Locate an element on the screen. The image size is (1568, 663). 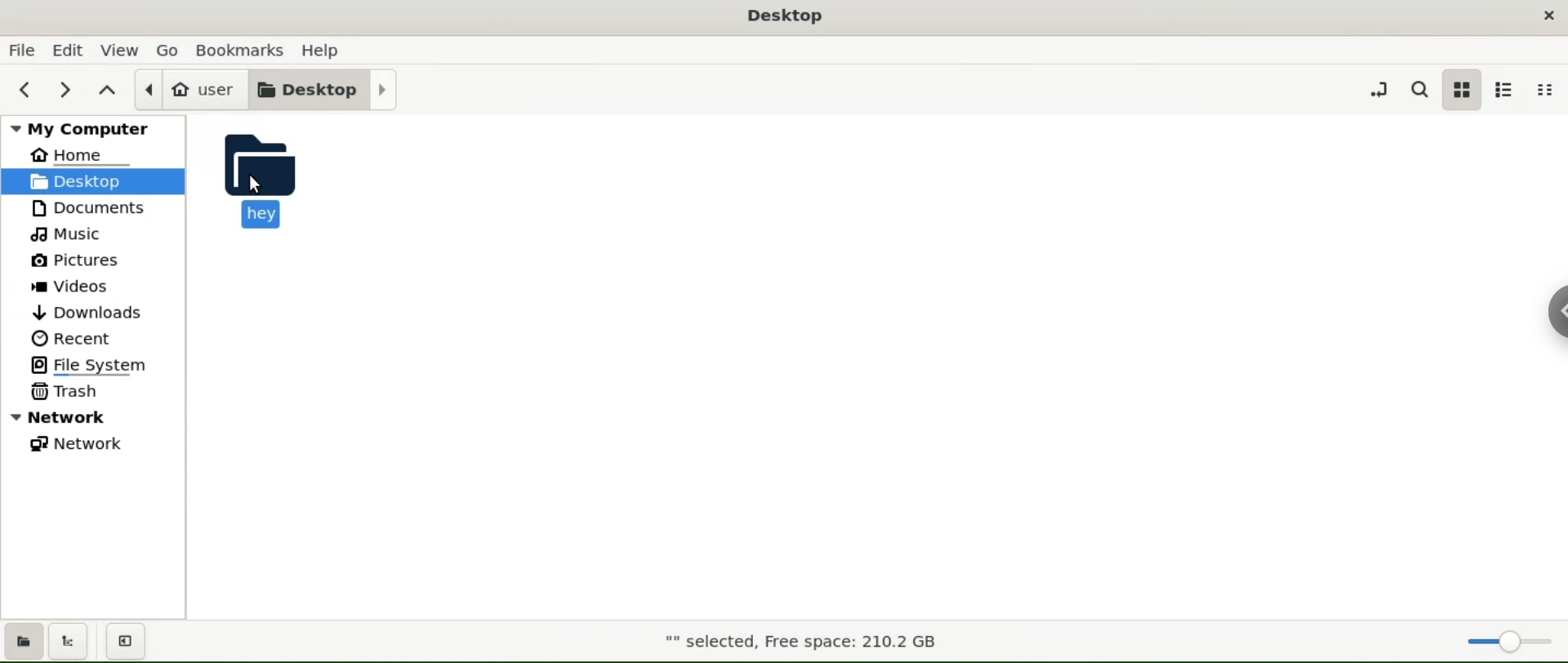
user is located at coordinates (192, 90).